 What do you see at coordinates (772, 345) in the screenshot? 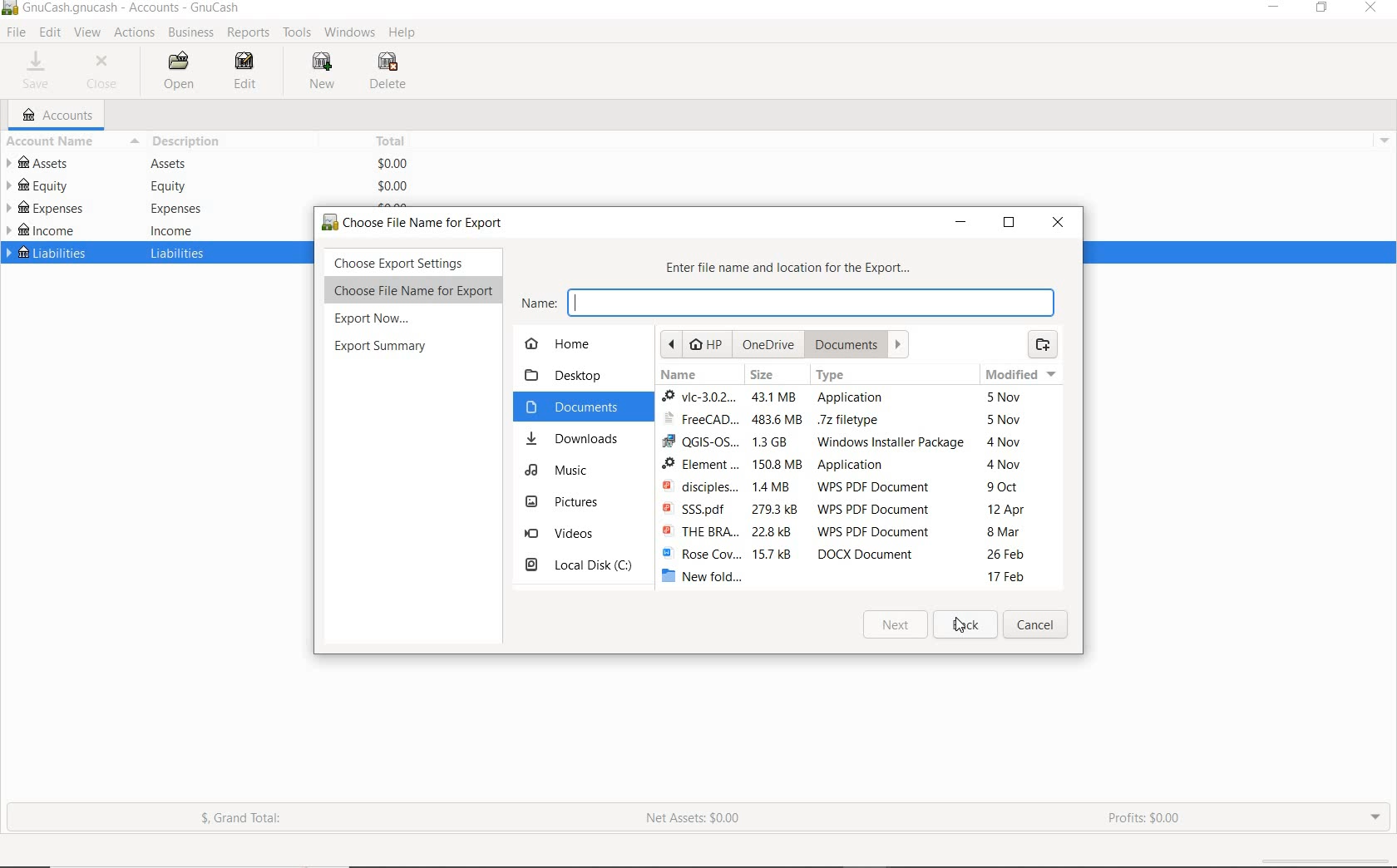
I see `OneDrie` at bounding box center [772, 345].